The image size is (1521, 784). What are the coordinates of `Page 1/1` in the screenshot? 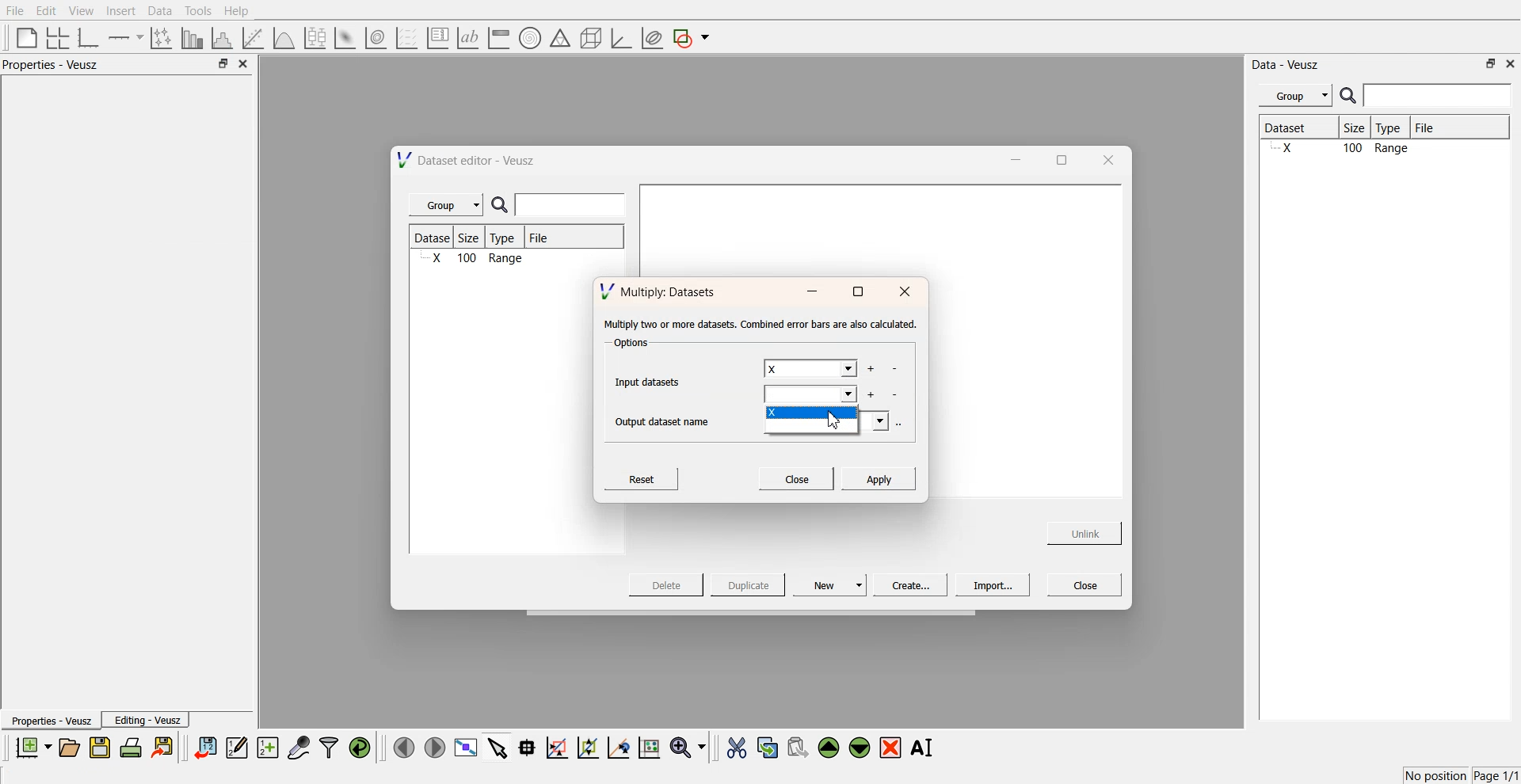 It's located at (1497, 776).